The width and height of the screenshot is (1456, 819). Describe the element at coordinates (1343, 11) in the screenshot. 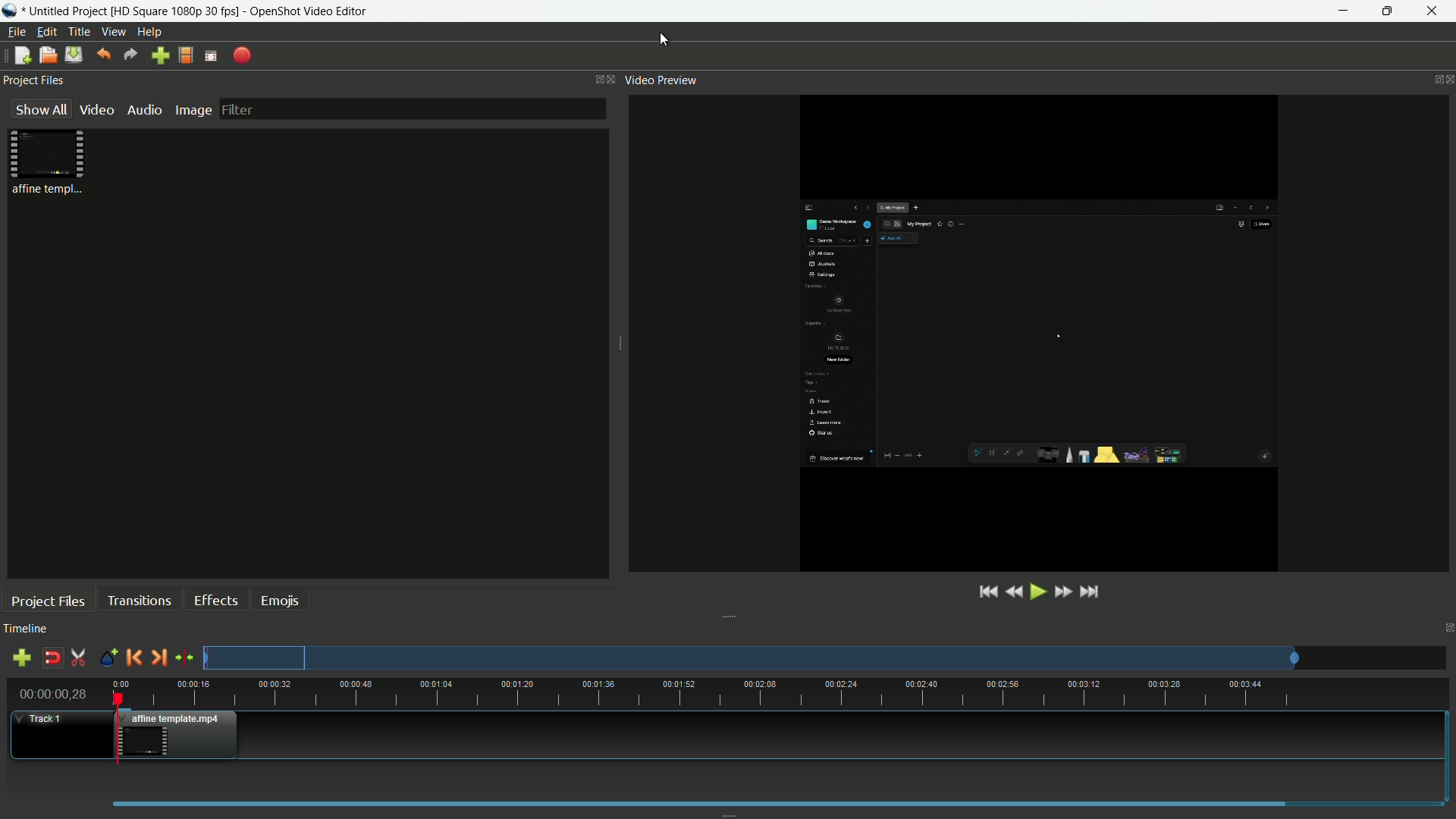

I see `minimize` at that location.